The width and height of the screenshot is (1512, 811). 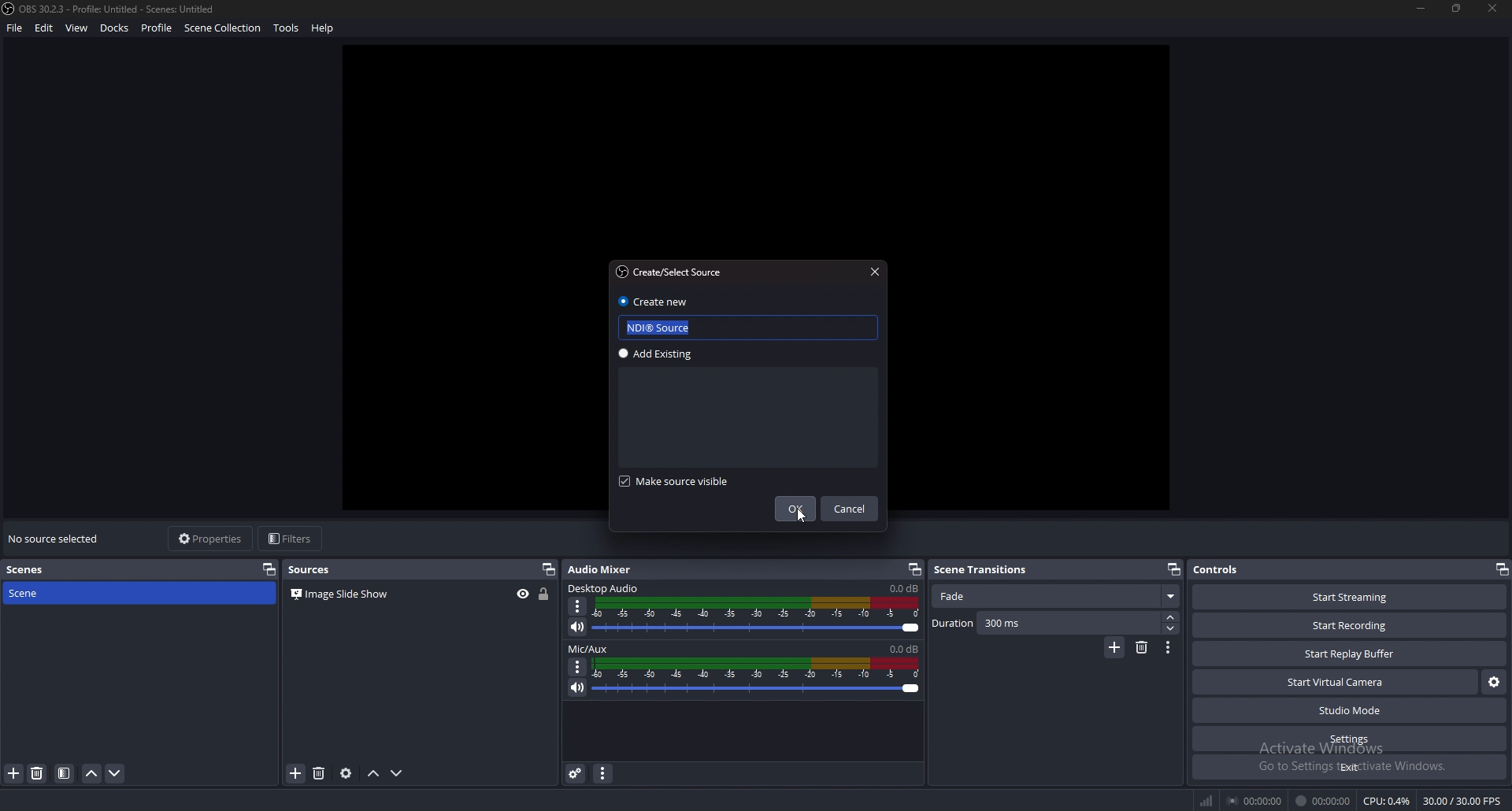 What do you see at coordinates (906, 648) in the screenshot?
I see `volume level` at bounding box center [906, 648].